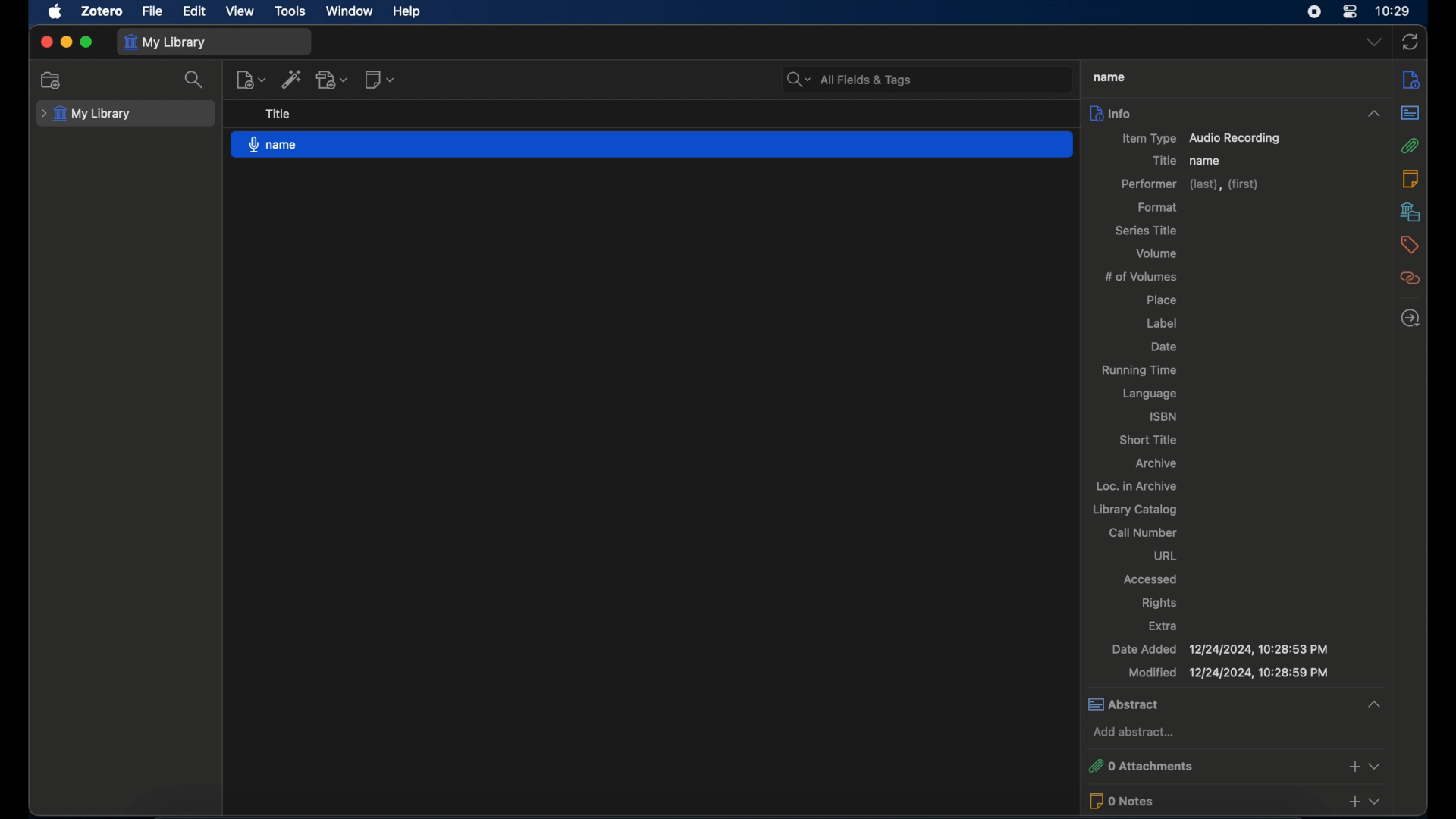 The width and height of the screenshot is (1456, 819). I want to click on window, so click(350, 11).